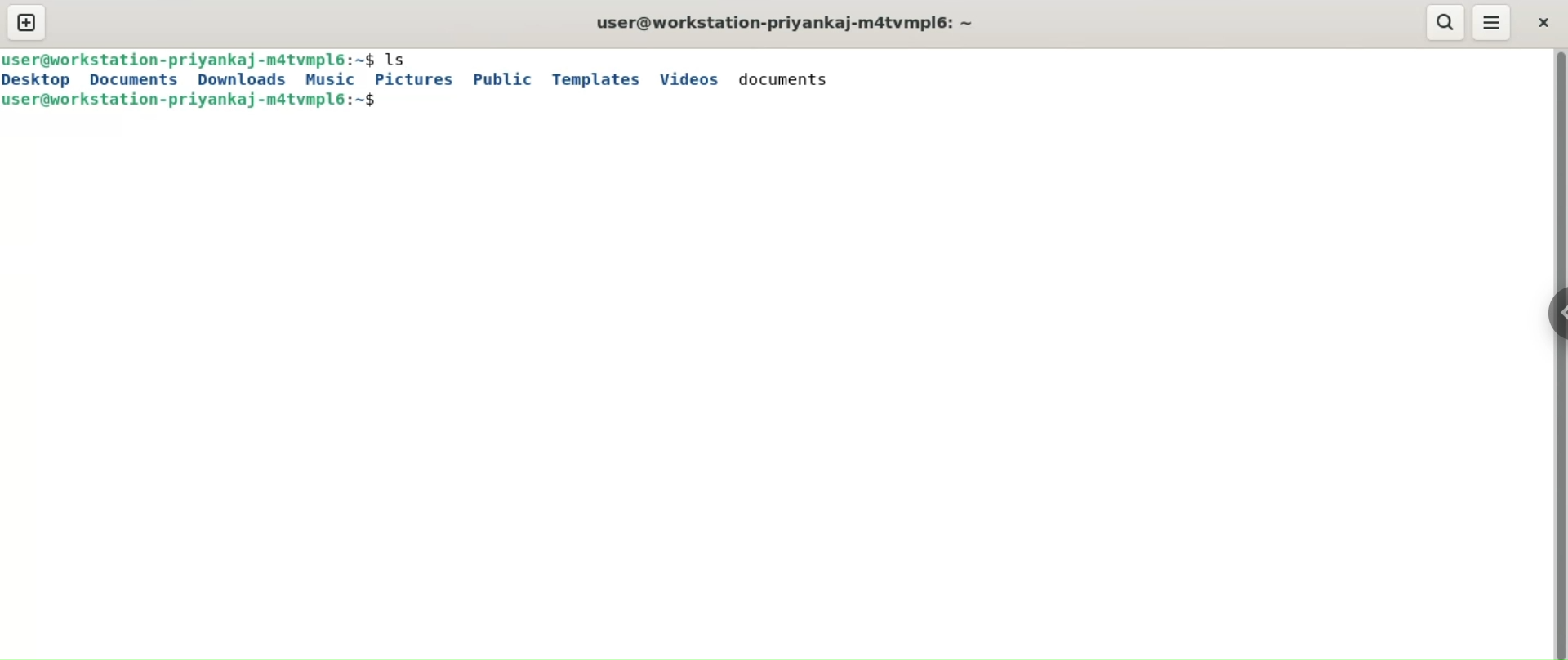  What do you see at coordinates (1448, 21) in the screenshot?
I see `search` at bounding box center [1448, 21].